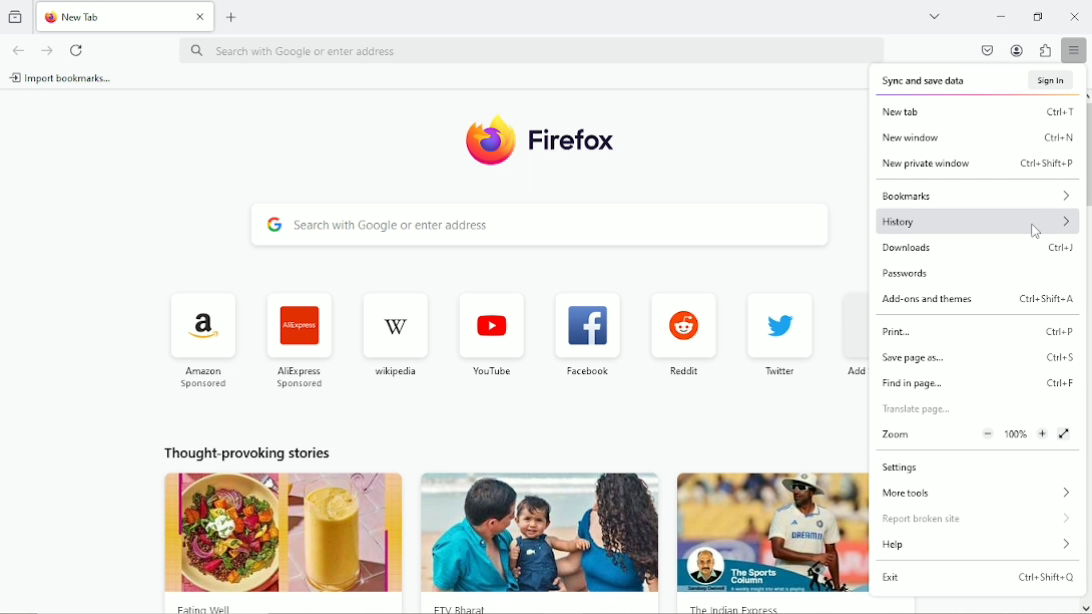 The width and height of the screenshot is (1092, 614). What do you see at coordinates (201, 379) in the screenshot?
I see `Amazon` at bounding box center [201, 379].